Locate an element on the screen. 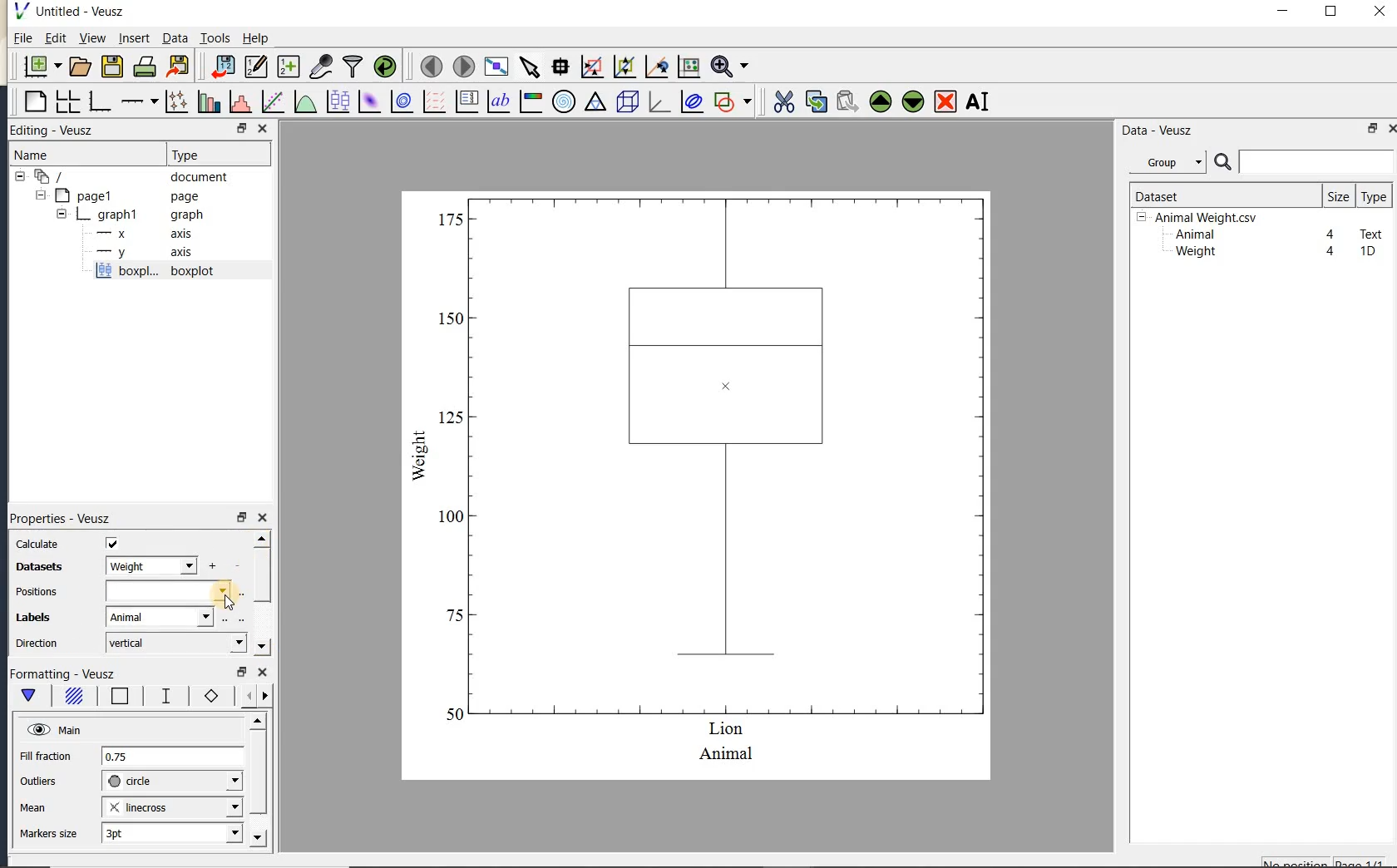  Properties - Veusz is located at coordinates (59, 515).